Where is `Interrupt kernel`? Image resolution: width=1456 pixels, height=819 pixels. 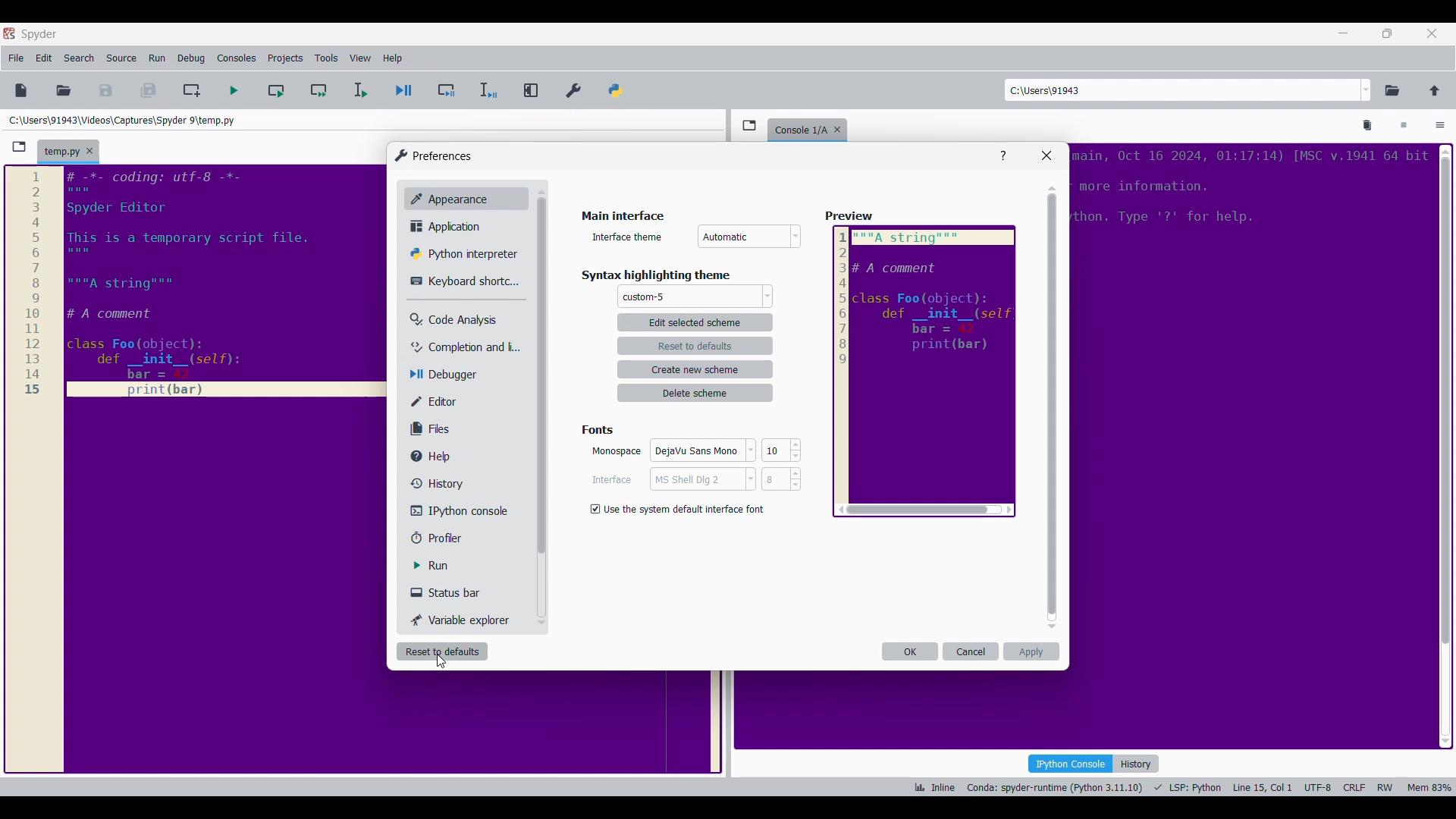
Interrupt kernel is located at coordinates (1404, 127).